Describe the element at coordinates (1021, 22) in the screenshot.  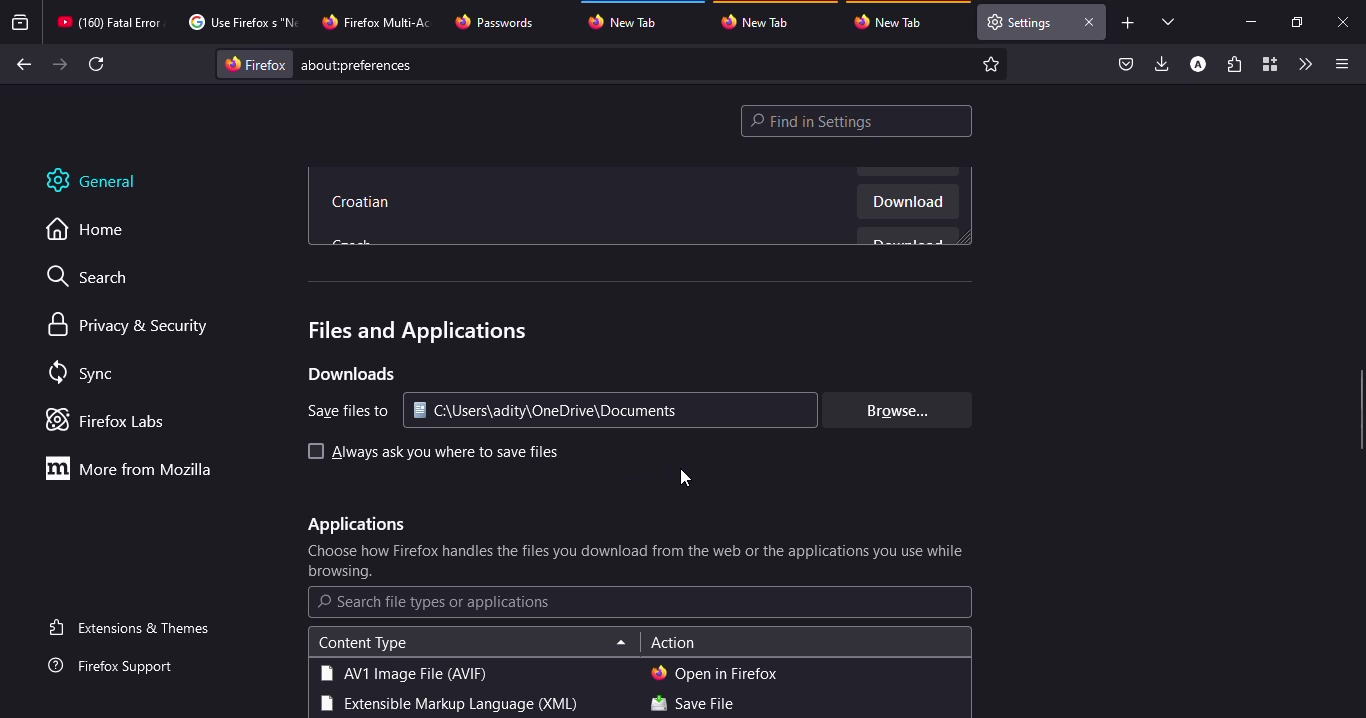
I see `tab` at that location.